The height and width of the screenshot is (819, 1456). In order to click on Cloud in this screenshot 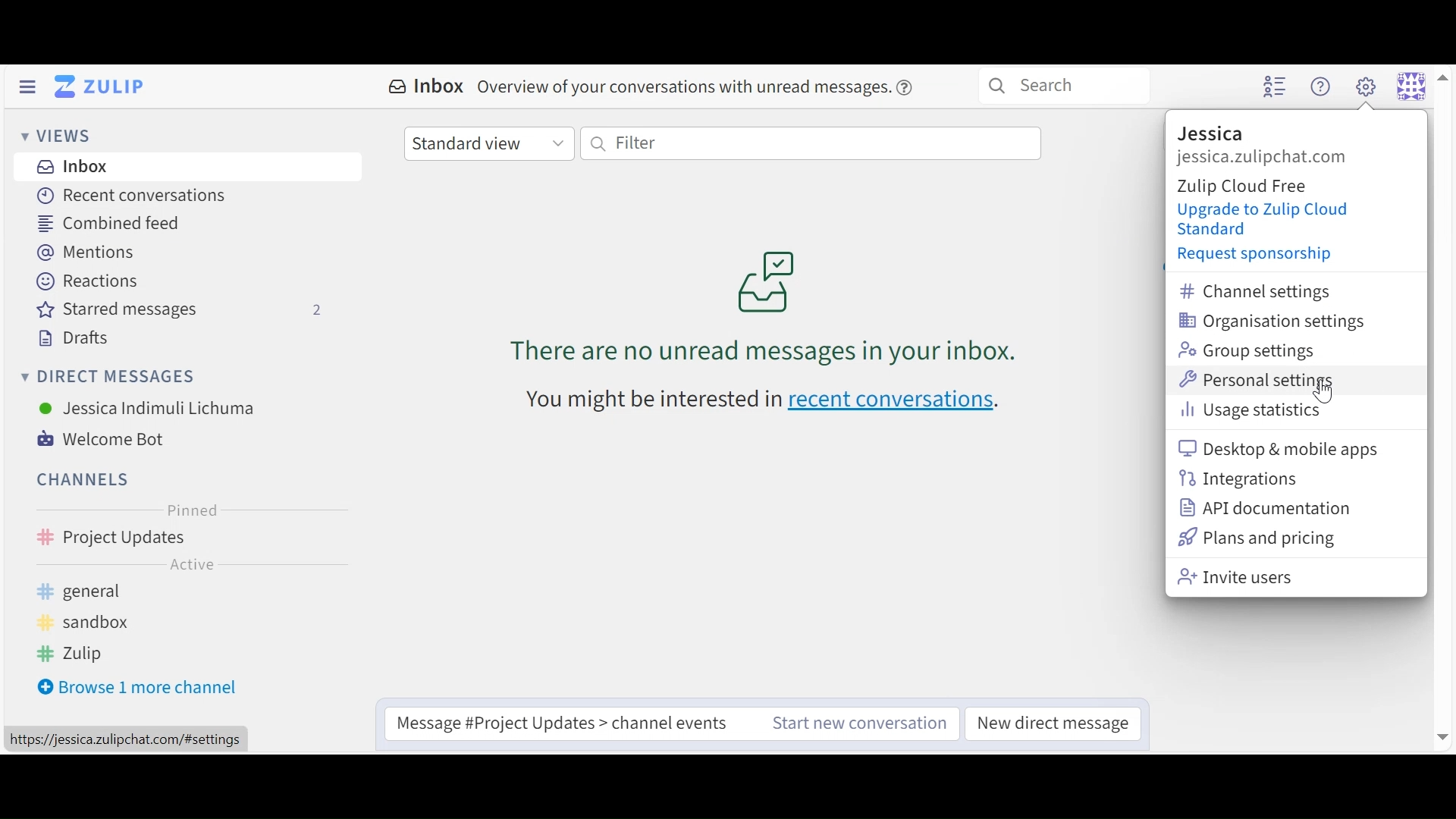, I will do `click(1247, 184)`.